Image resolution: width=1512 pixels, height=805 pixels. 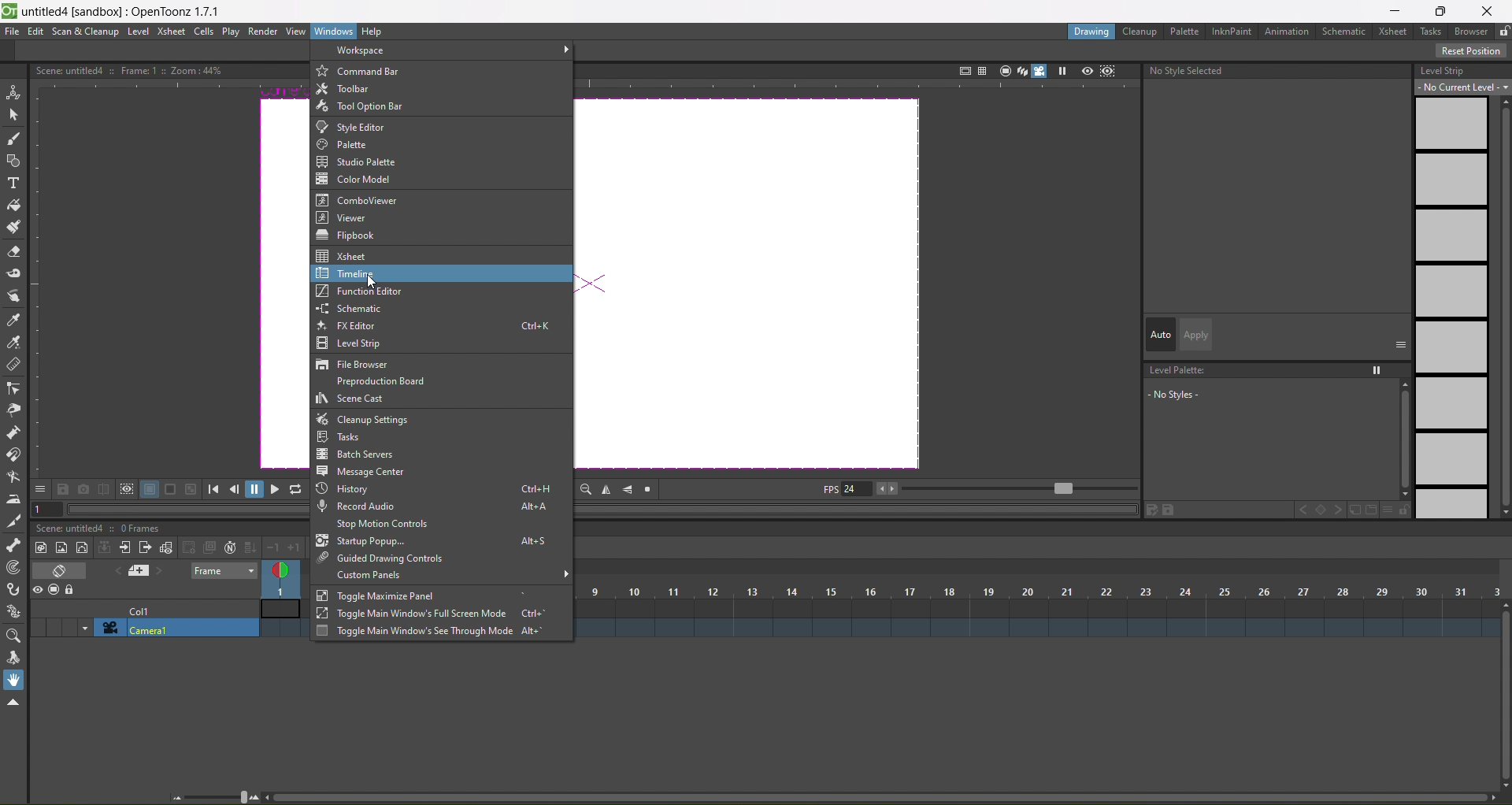 I want to click on screen cast, so click(x=352, y=399).